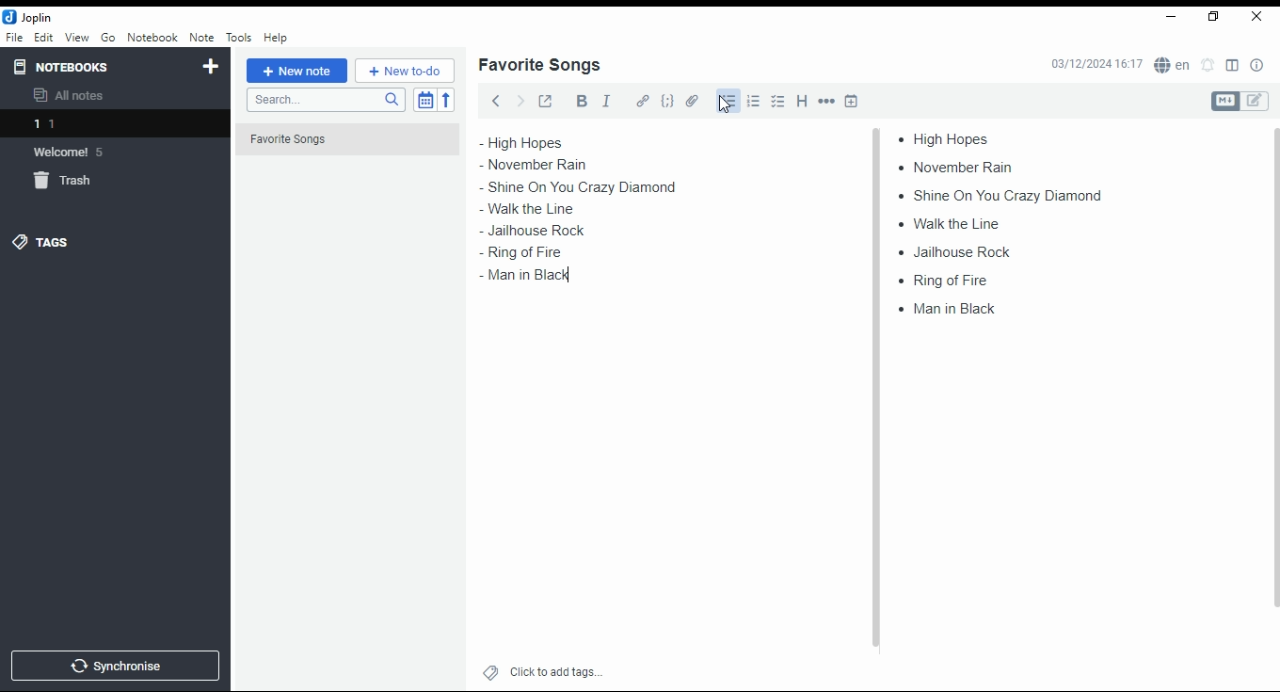 This screenshot has height=692, width=1280. Describe the element at coordinates (1174, 64) in the screenshot. I see `spell checker` at that location.